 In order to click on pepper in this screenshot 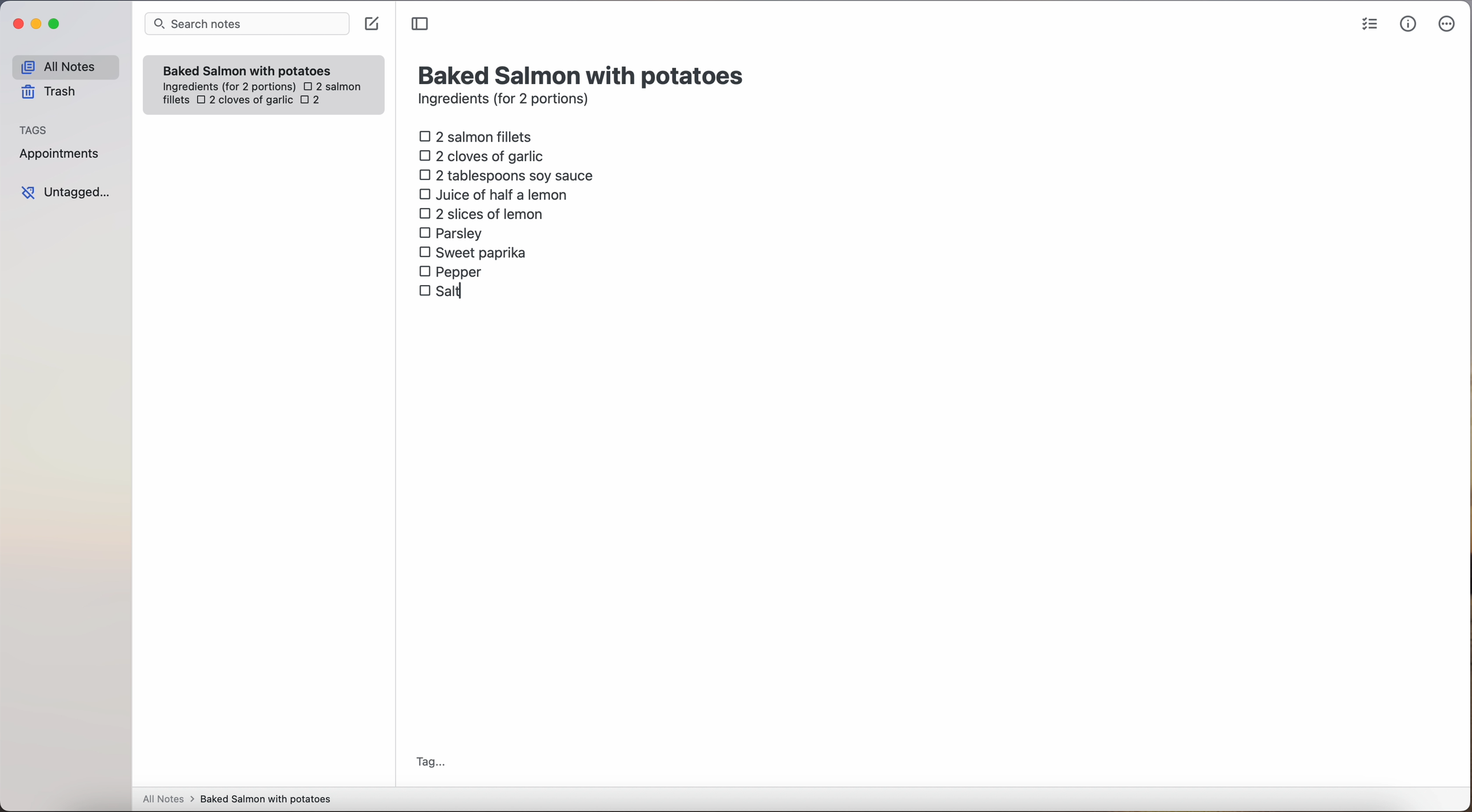, I will do `click(453, 271)`.